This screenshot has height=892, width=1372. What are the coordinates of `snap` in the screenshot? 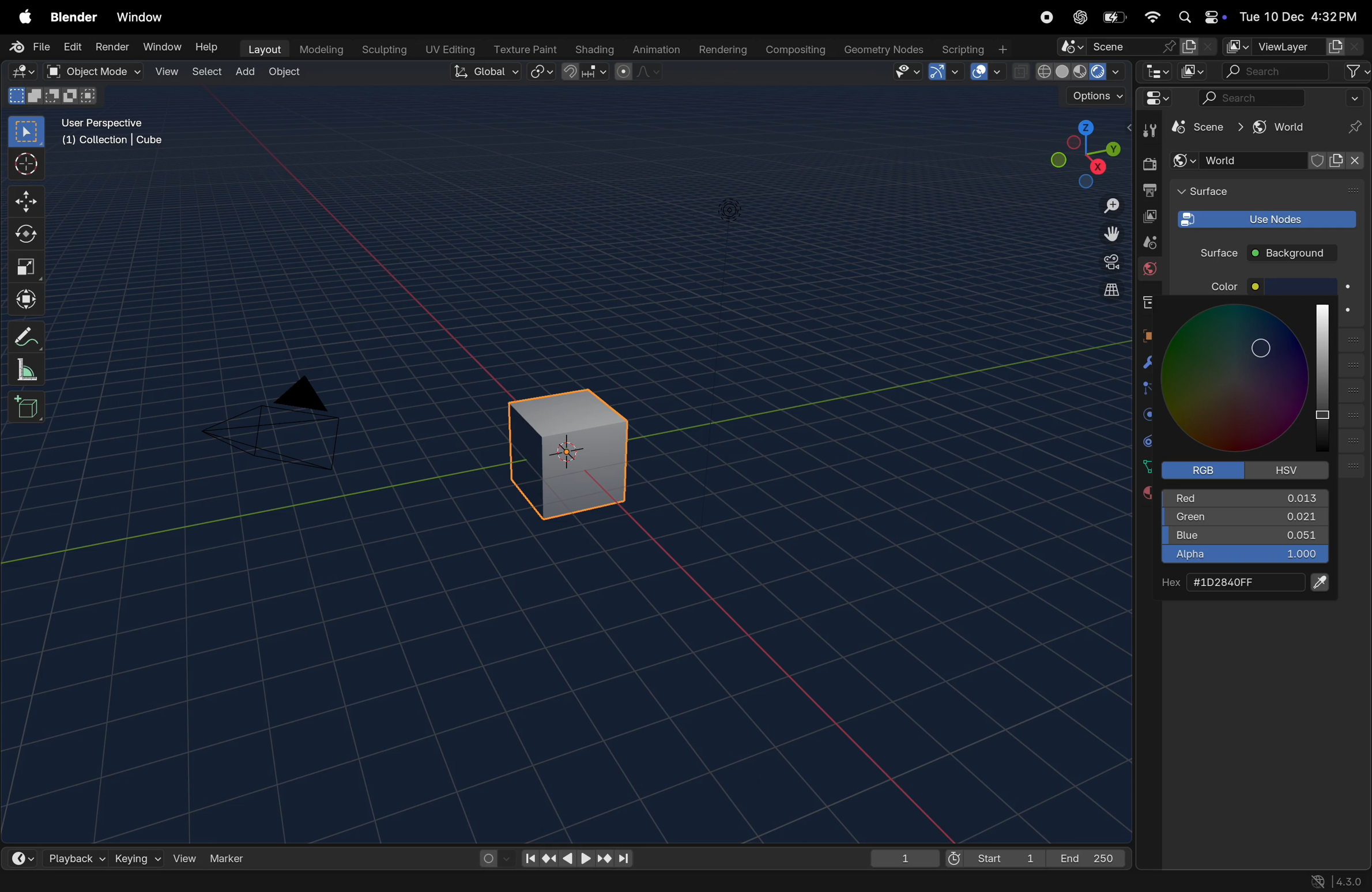 It's located at (586, 73).